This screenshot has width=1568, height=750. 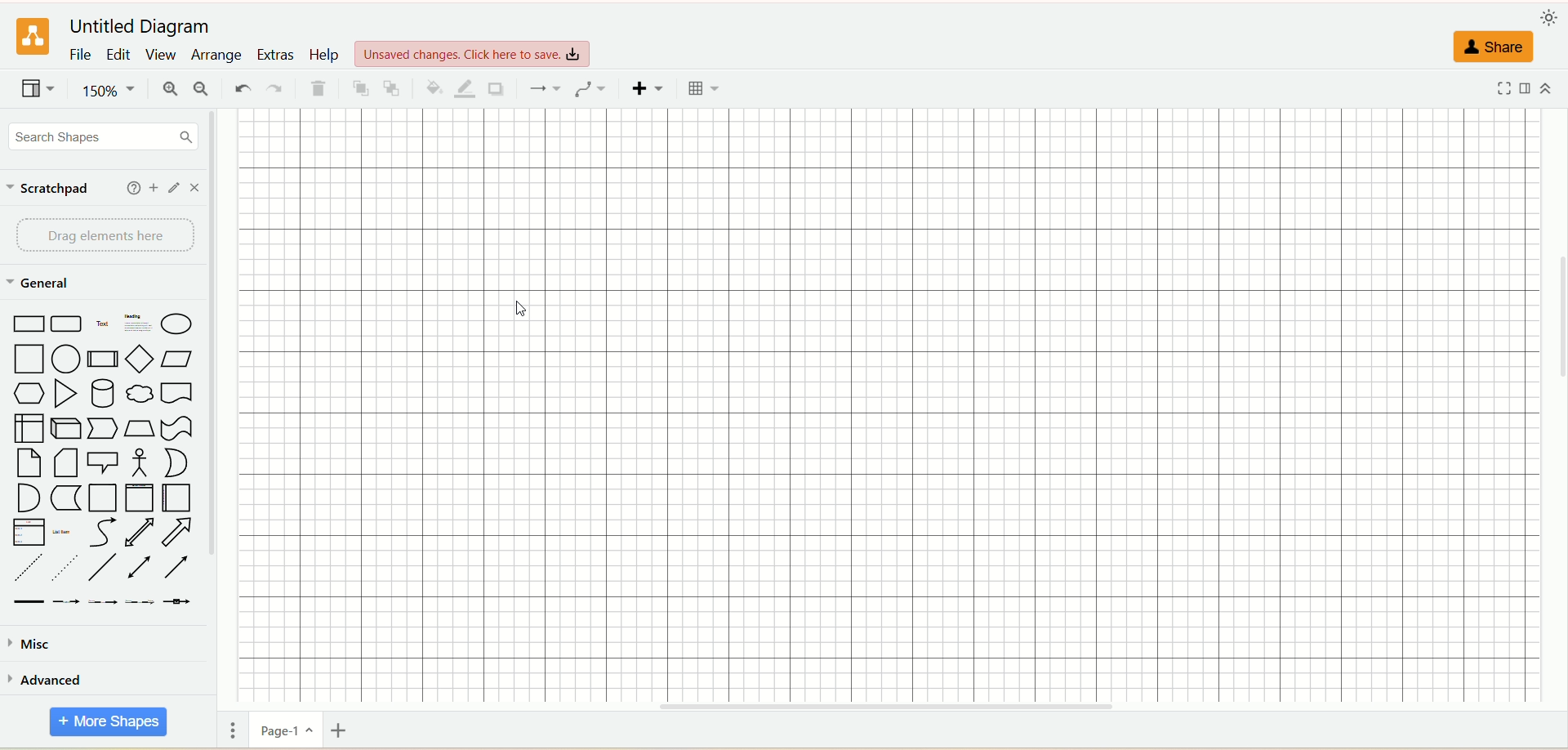 What do you see at coordinates (705, 90) in the screenshot?
I see `Table` at bounding box center [705, 90].